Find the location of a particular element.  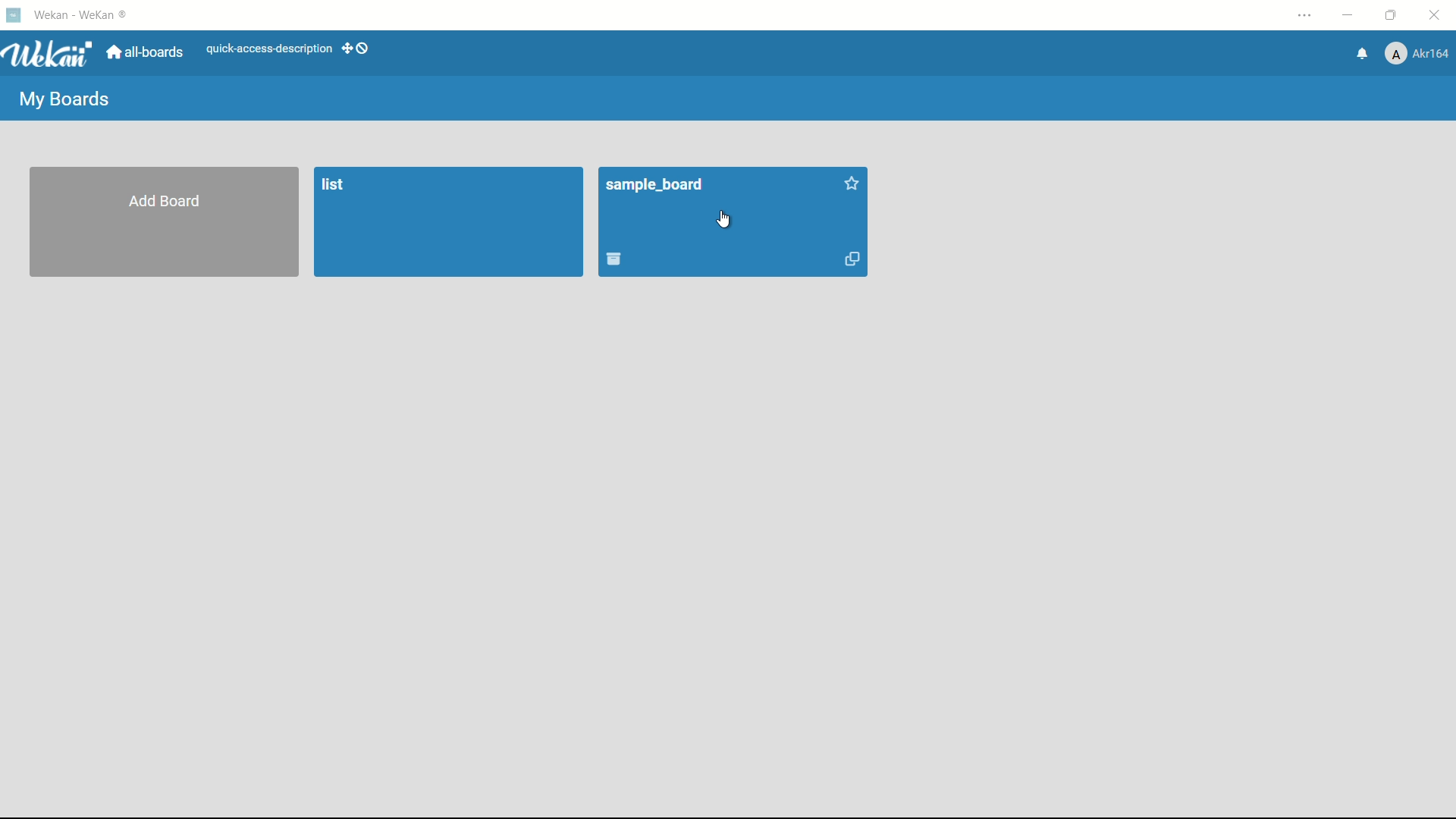

profile is located at coordinates (1420, 55).